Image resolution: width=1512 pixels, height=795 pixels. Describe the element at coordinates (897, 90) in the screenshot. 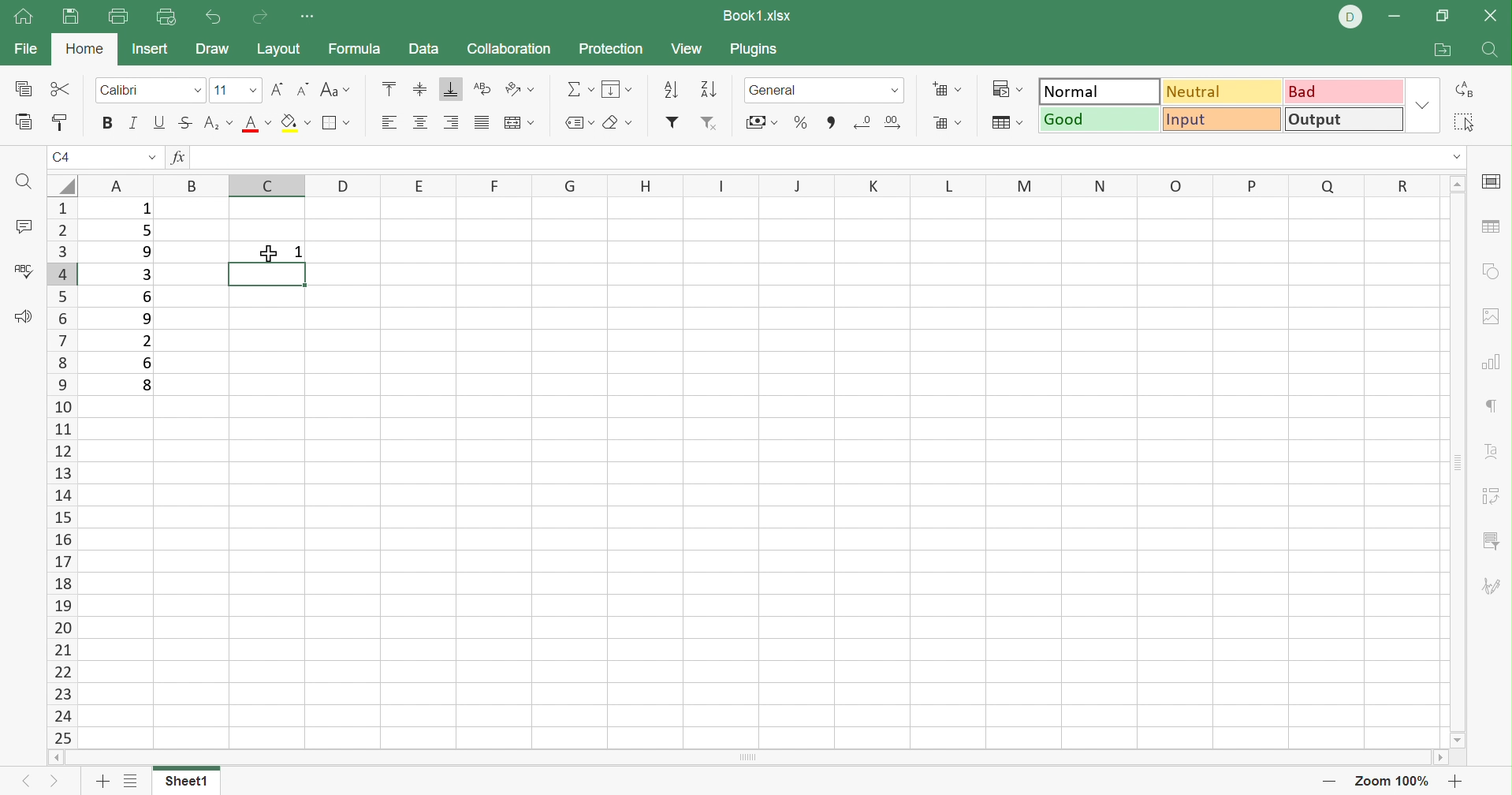

I see `Drop down` at that location.